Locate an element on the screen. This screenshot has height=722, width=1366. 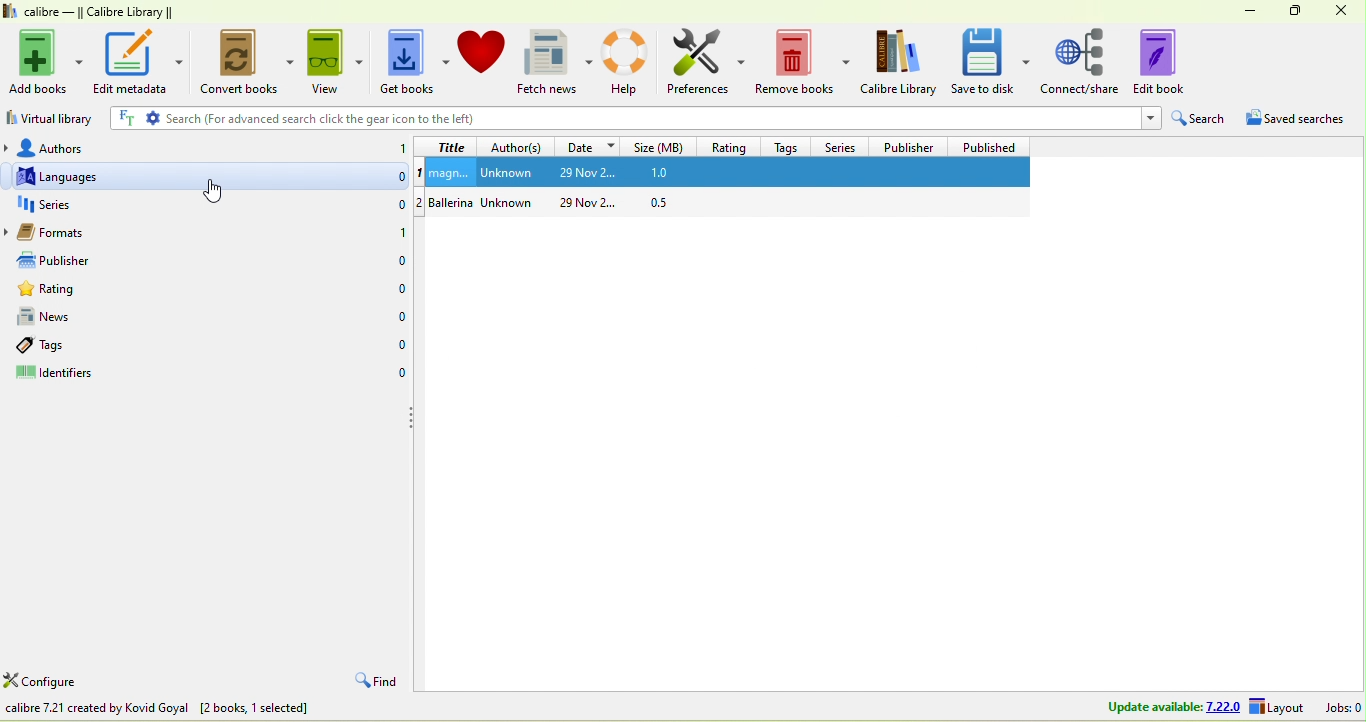
rating is located at coordinates (86, 290).